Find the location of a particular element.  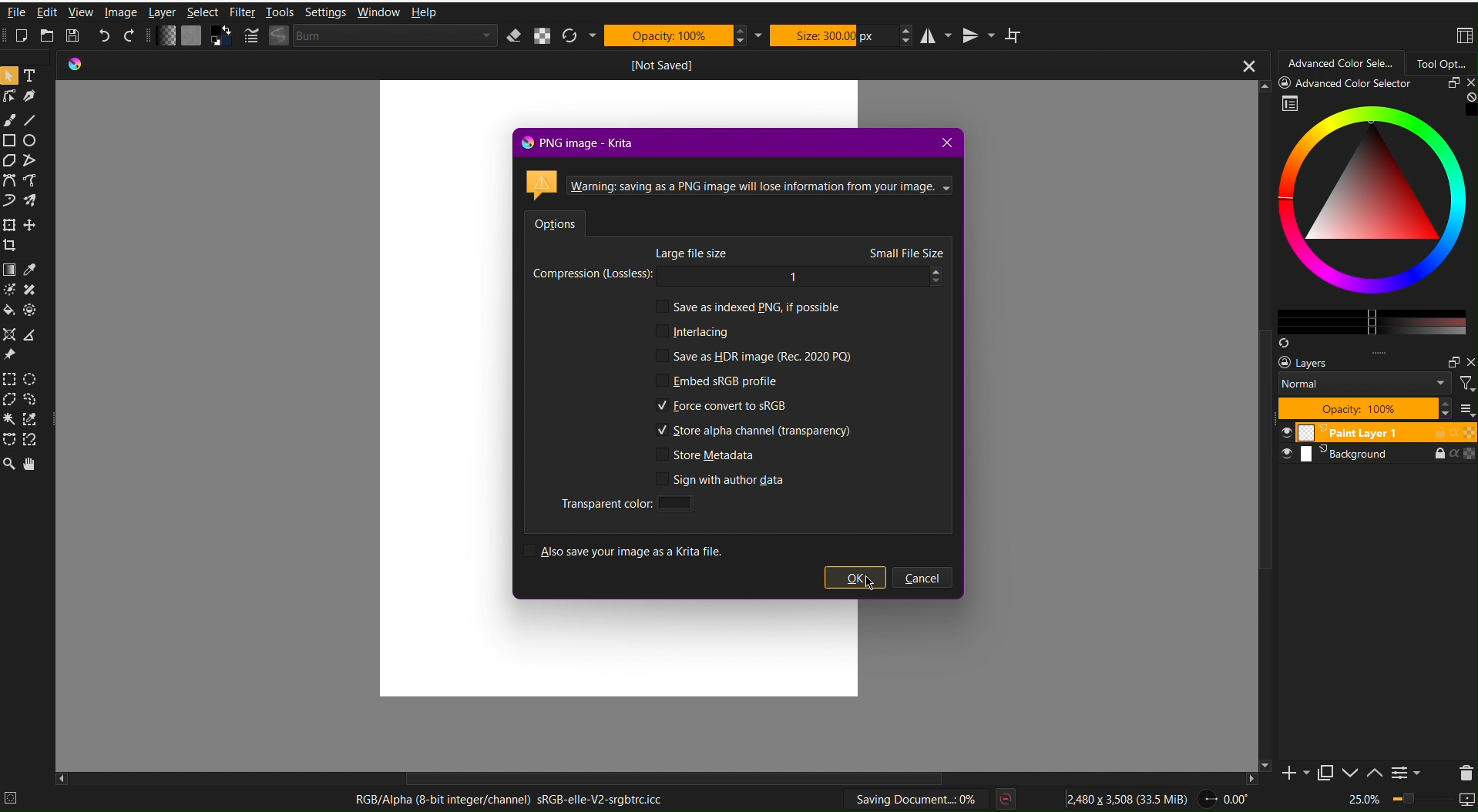

Save as HDR  is located at coordinates (754, 356).